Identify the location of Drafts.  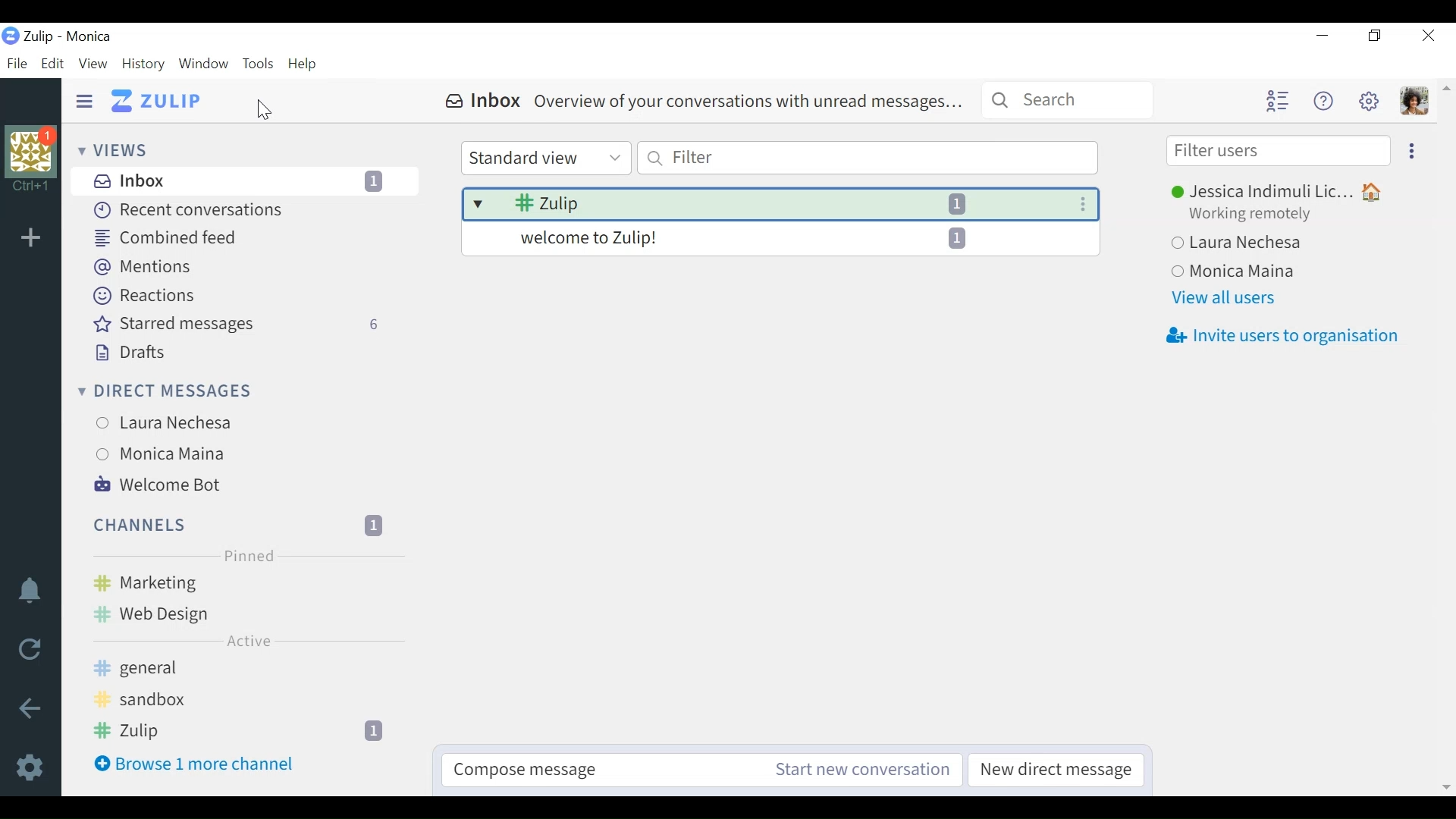
(126, 353).